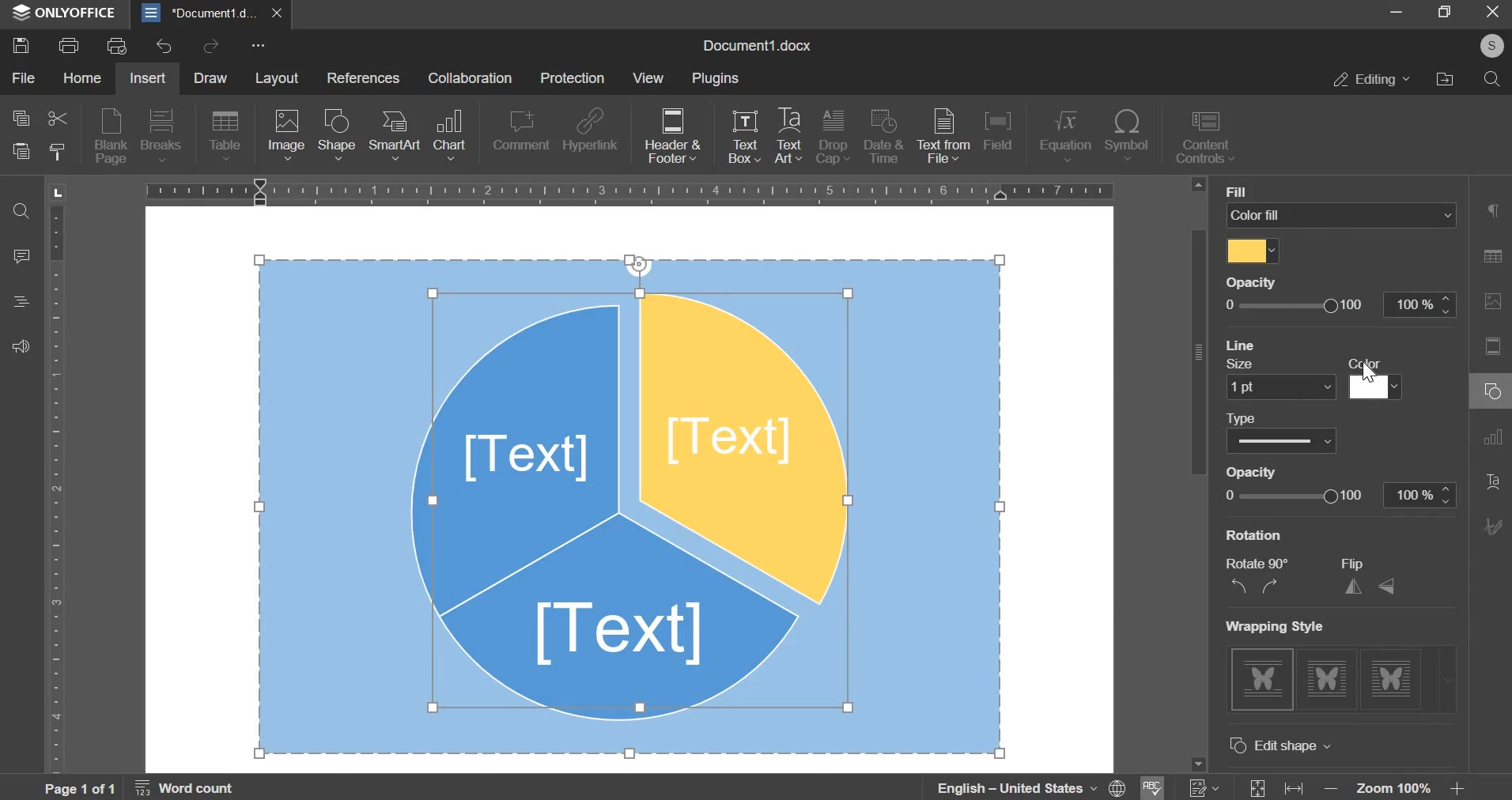  Describe the element at coordinates (57, 483) in the screenshot. I see `vertical scale` at that location.